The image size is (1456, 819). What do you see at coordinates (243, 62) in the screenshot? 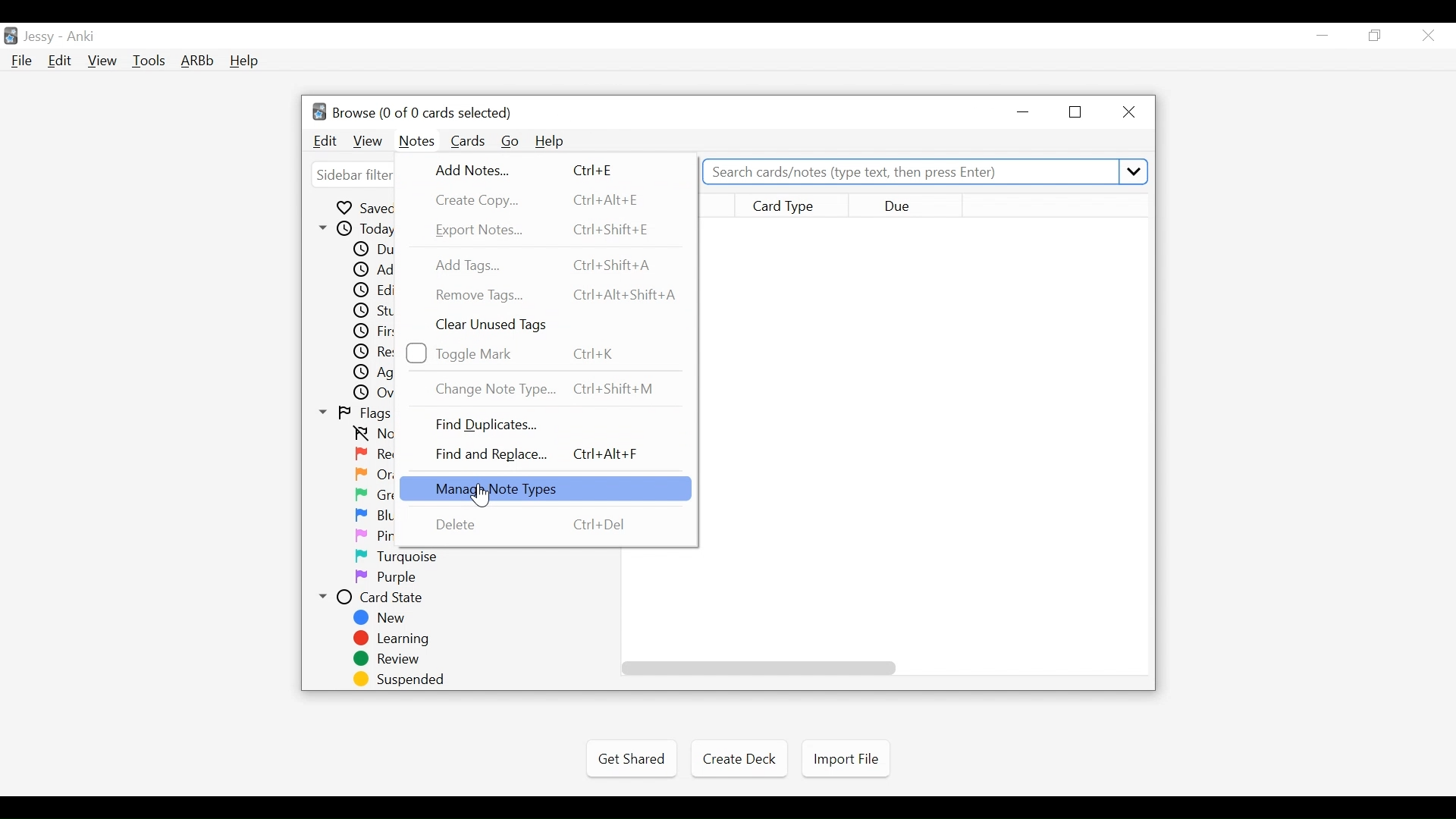
I see `Help` at bounding box center [243, 62].